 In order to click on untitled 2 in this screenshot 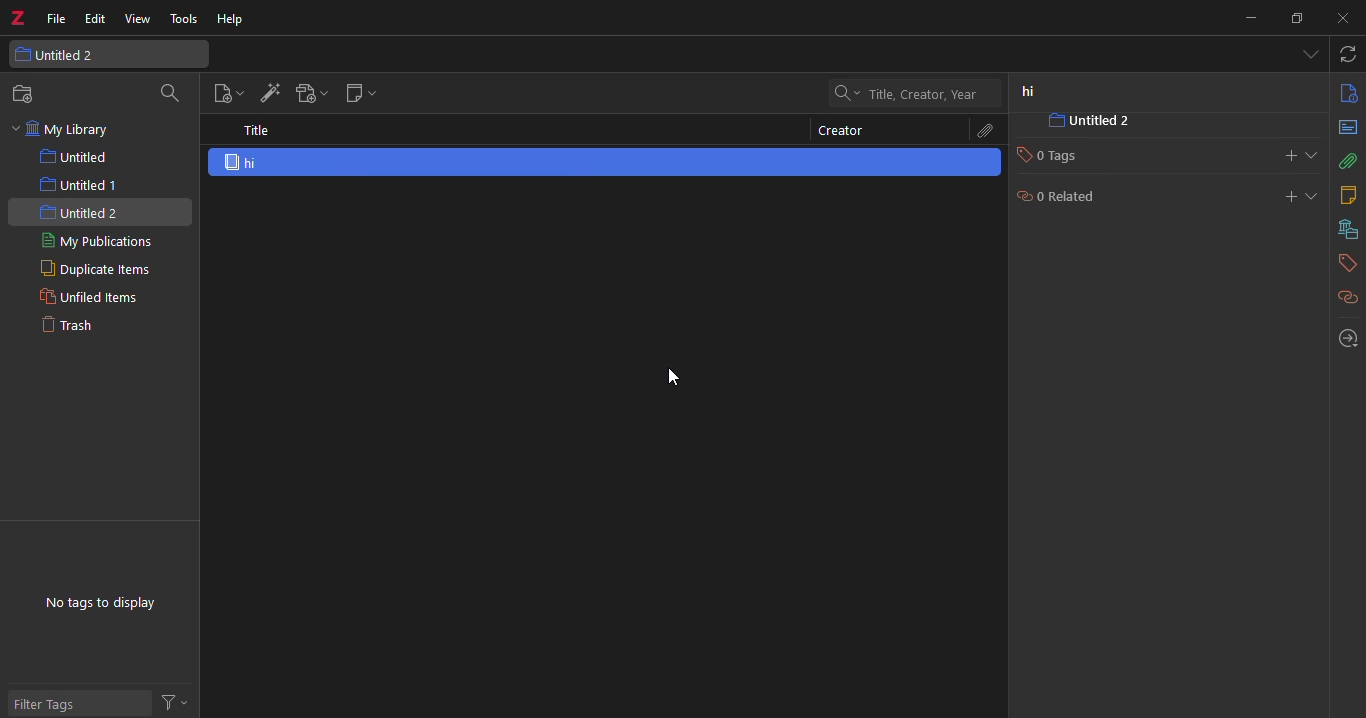, I will do `click(62, 55)`.